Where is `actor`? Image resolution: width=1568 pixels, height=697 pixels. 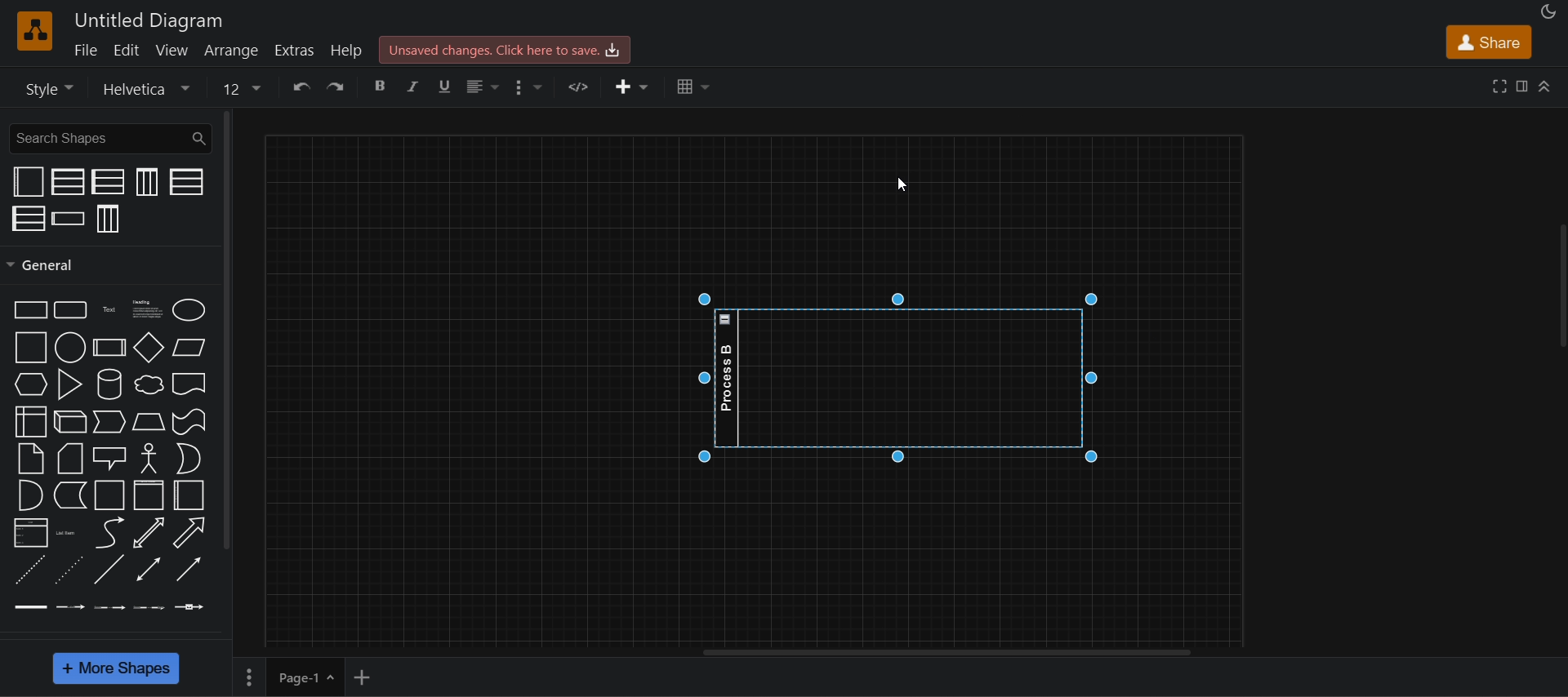 actor is located at coordinates (148, 458).